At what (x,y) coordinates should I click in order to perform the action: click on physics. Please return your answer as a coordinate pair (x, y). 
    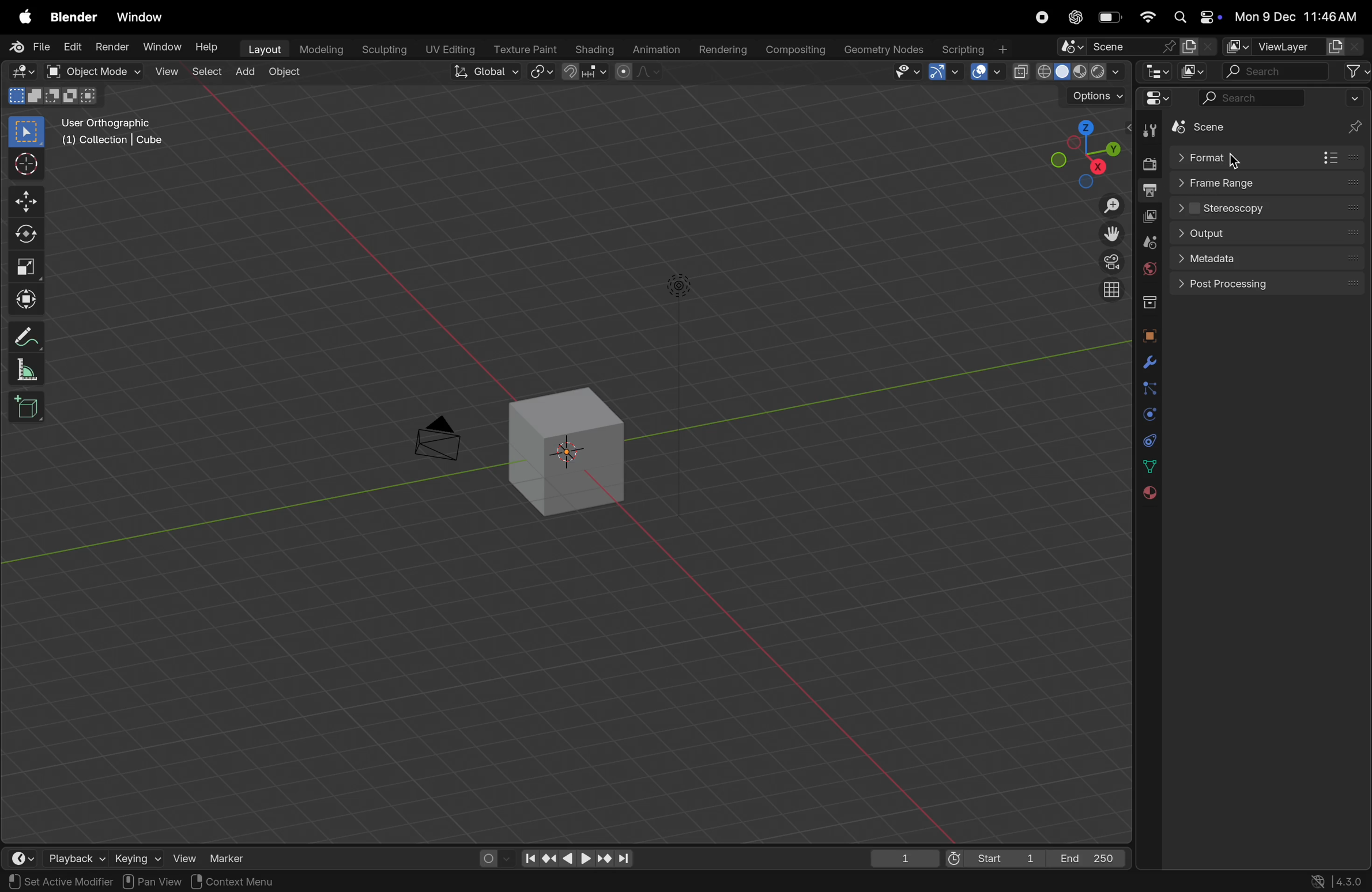
    Looking at the image, I should click on (1147, 413).